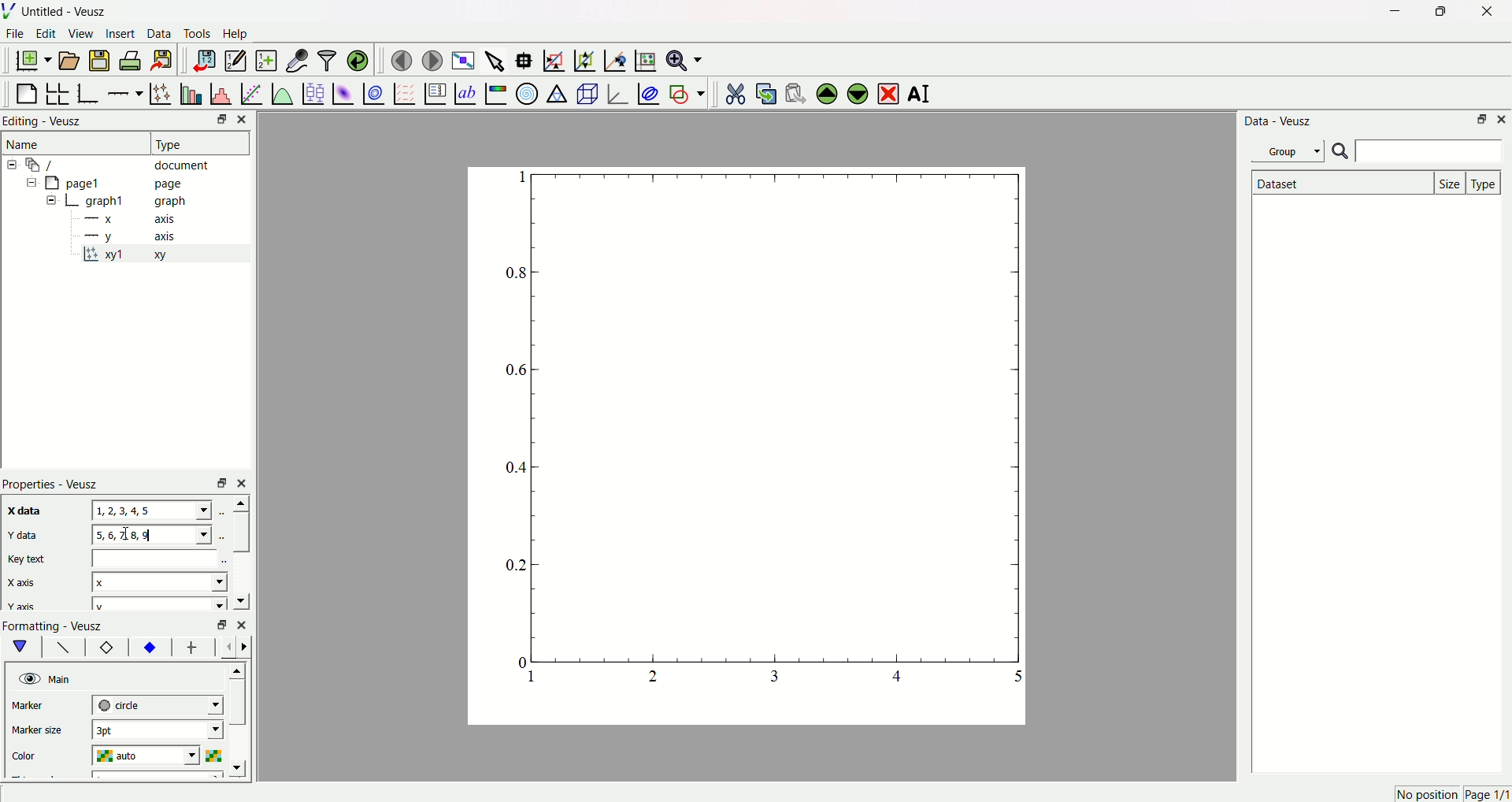  Describe the element at coordinates (24, 647) in the screenshot. I see `main` at that location.